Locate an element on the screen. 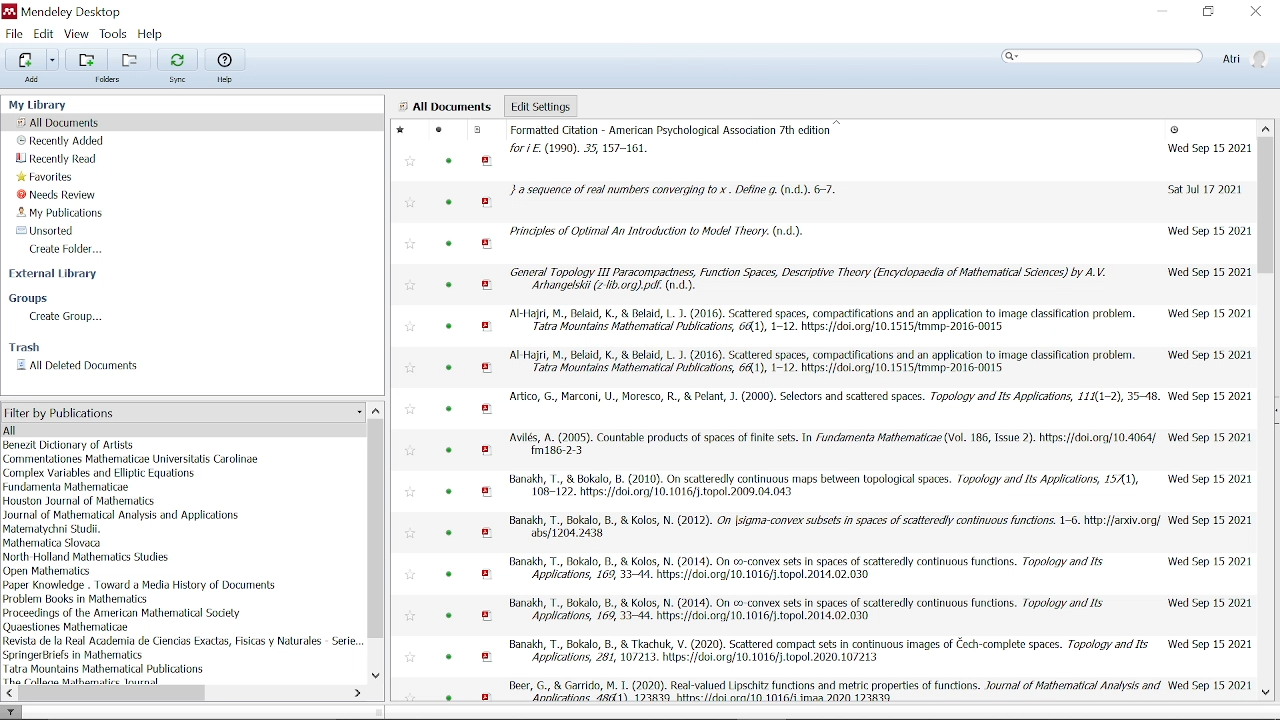  favourite is located at coordinates (412, 410).